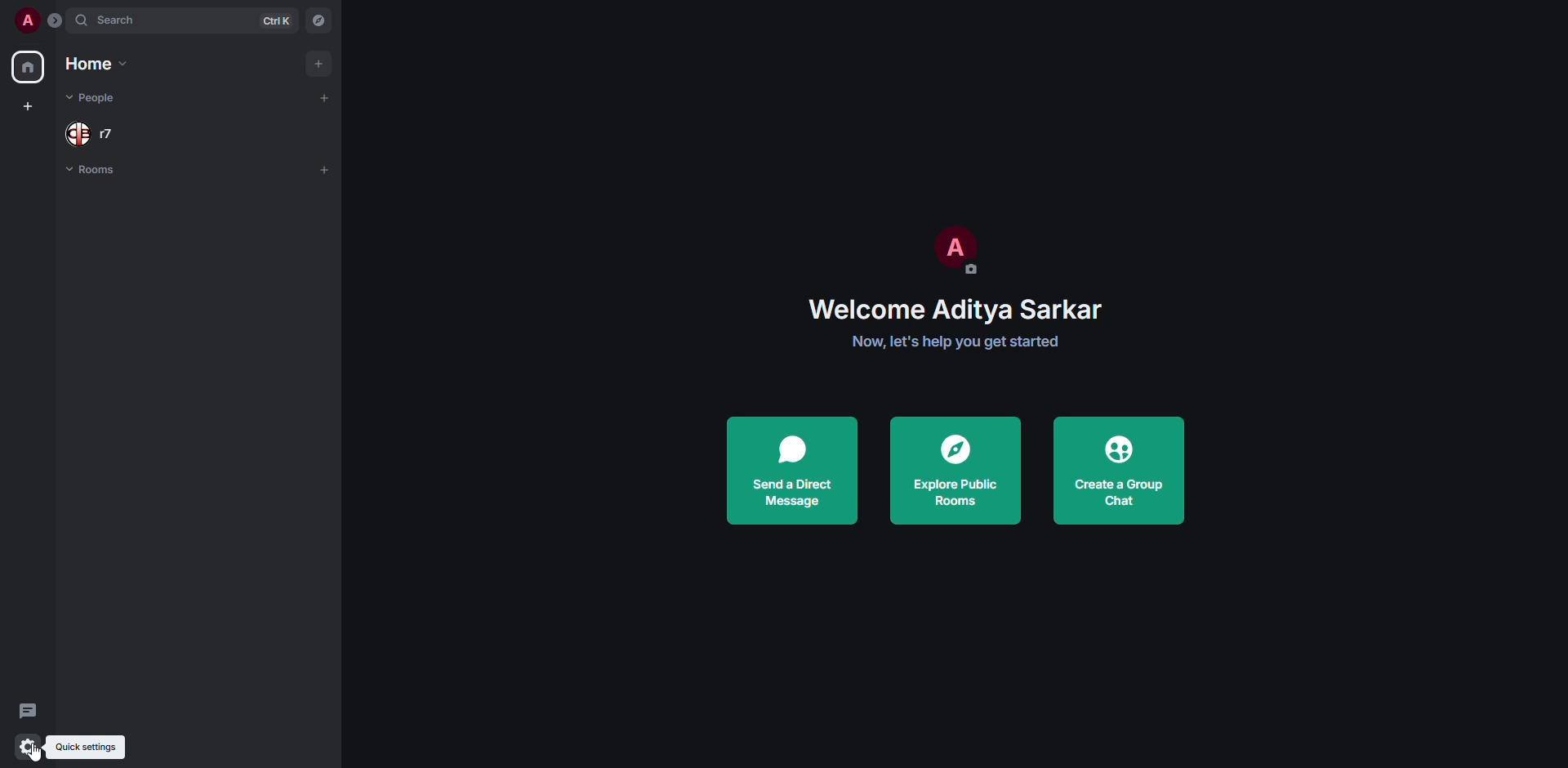  I want to click on profile, so click(960, 250).